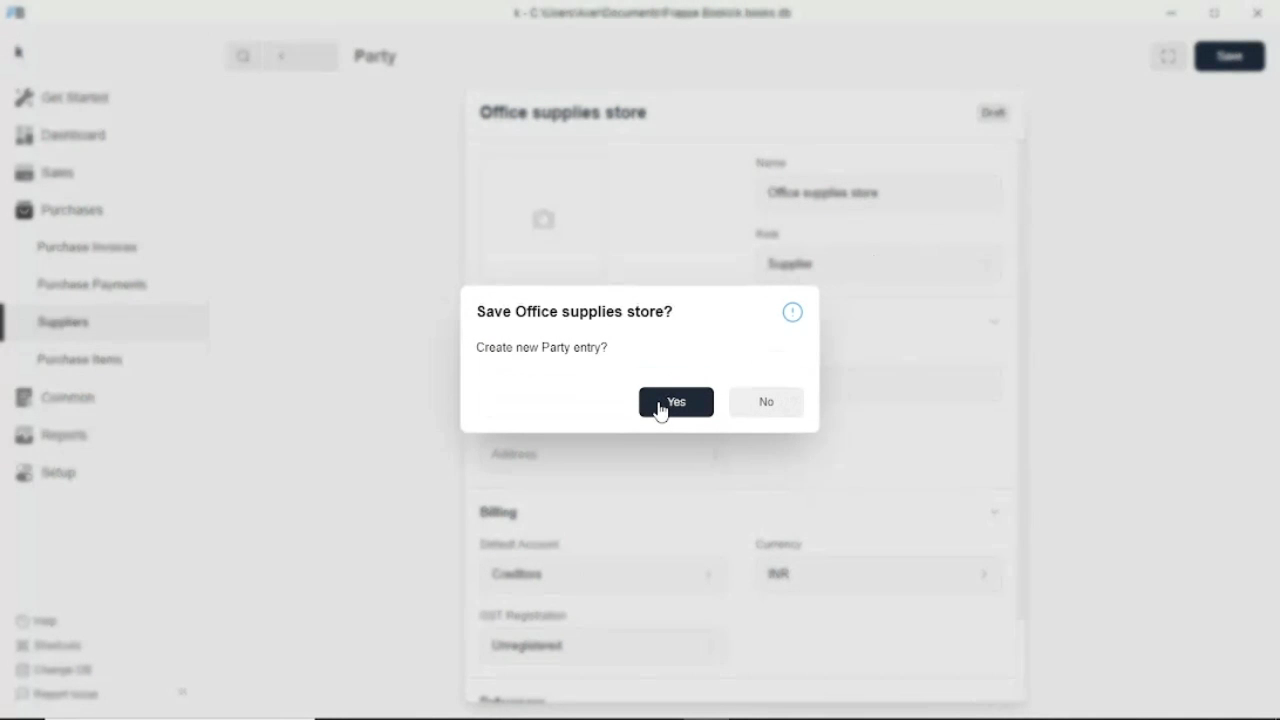 This screenshot has height=720, width=1280. I want to click on Supplier, so click(881, 265).